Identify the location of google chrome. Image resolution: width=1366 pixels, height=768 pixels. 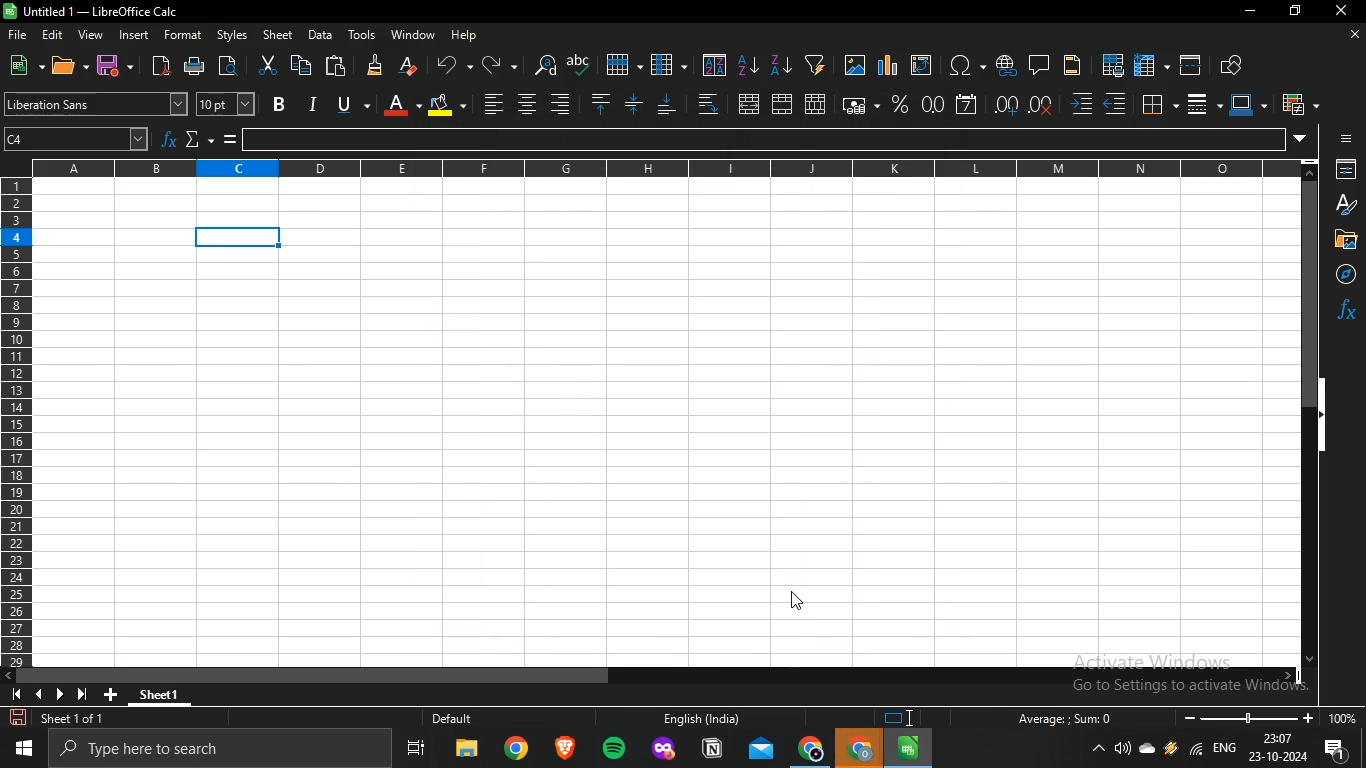
(516, 751).